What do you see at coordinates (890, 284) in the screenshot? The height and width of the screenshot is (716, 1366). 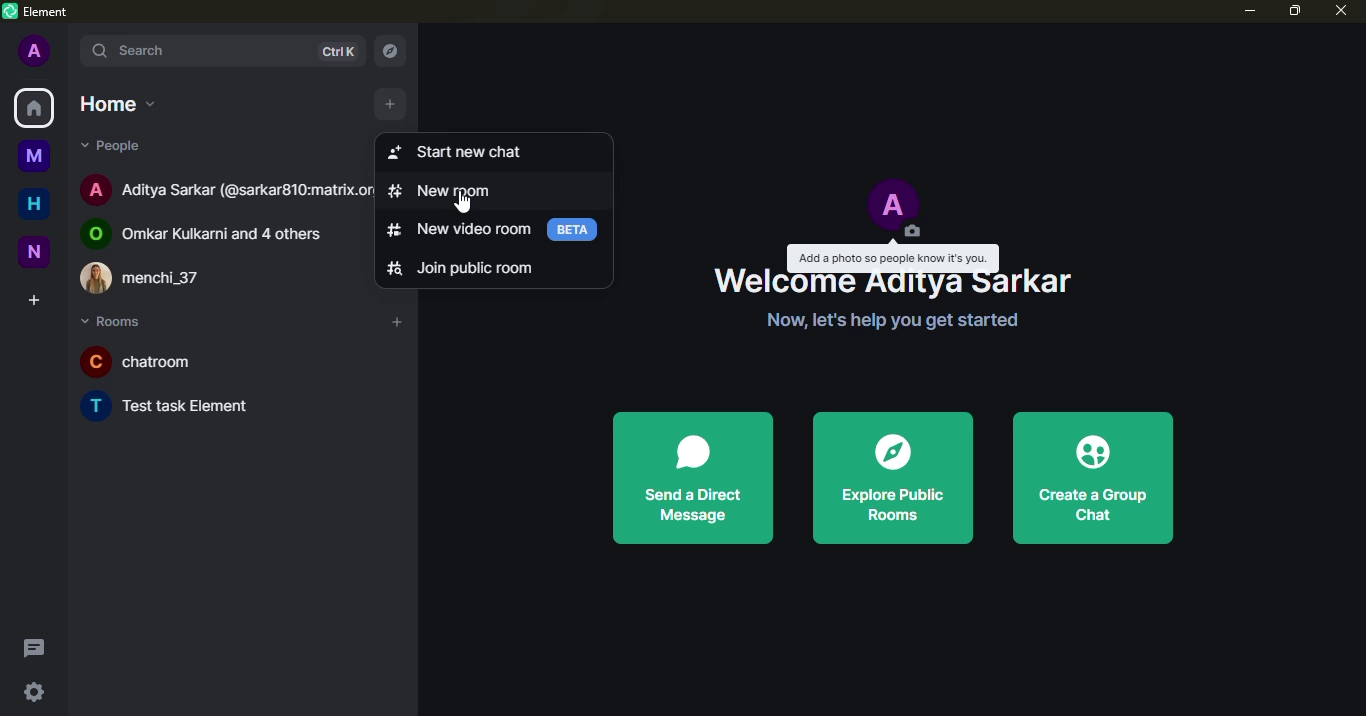 I see `welcome aditya sarkar` at bounding box center [890, 284].